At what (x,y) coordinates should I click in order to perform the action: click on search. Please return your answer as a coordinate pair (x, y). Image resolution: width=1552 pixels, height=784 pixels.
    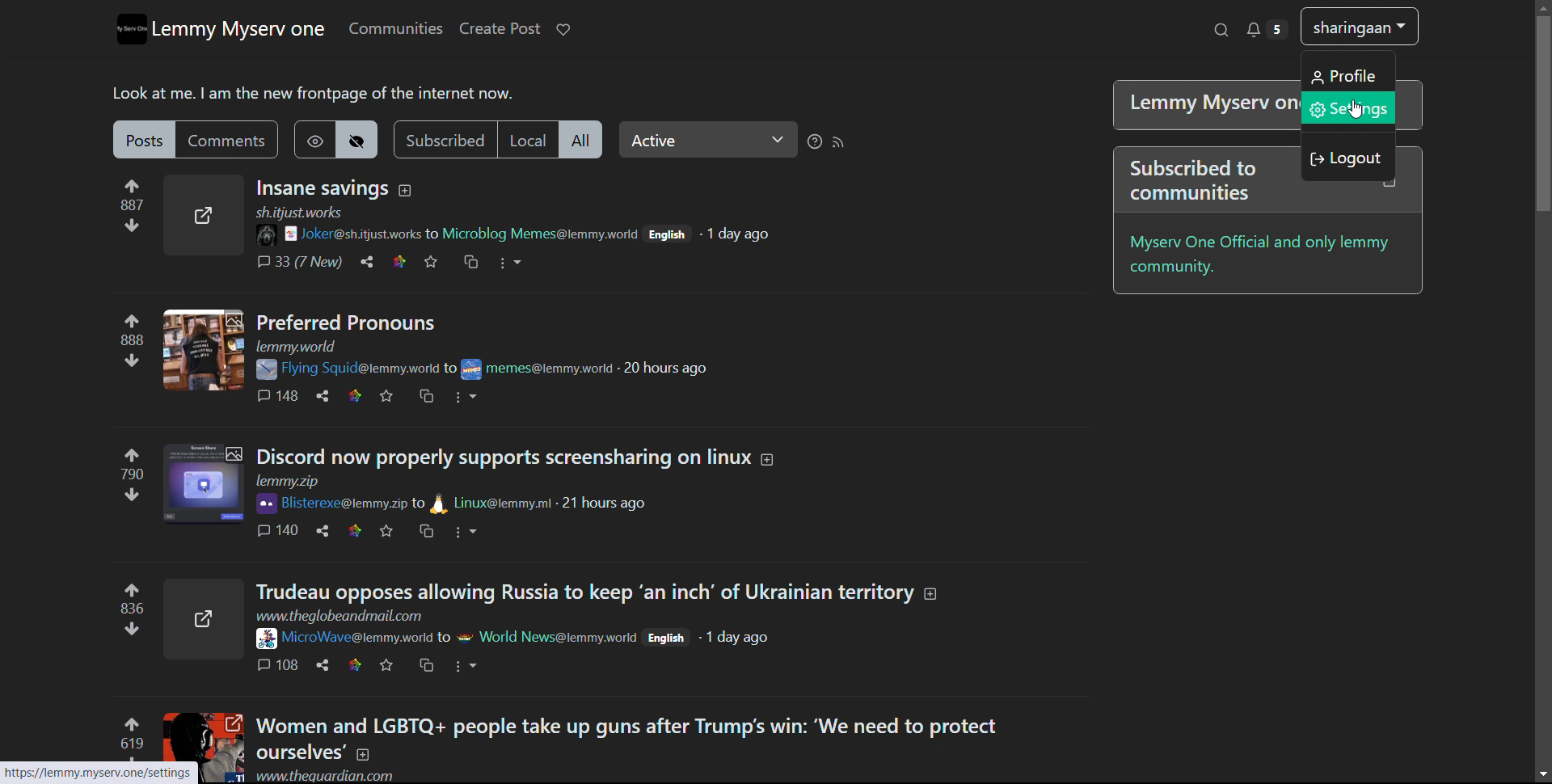
    Looking at the image, I should click on (1220, 30).